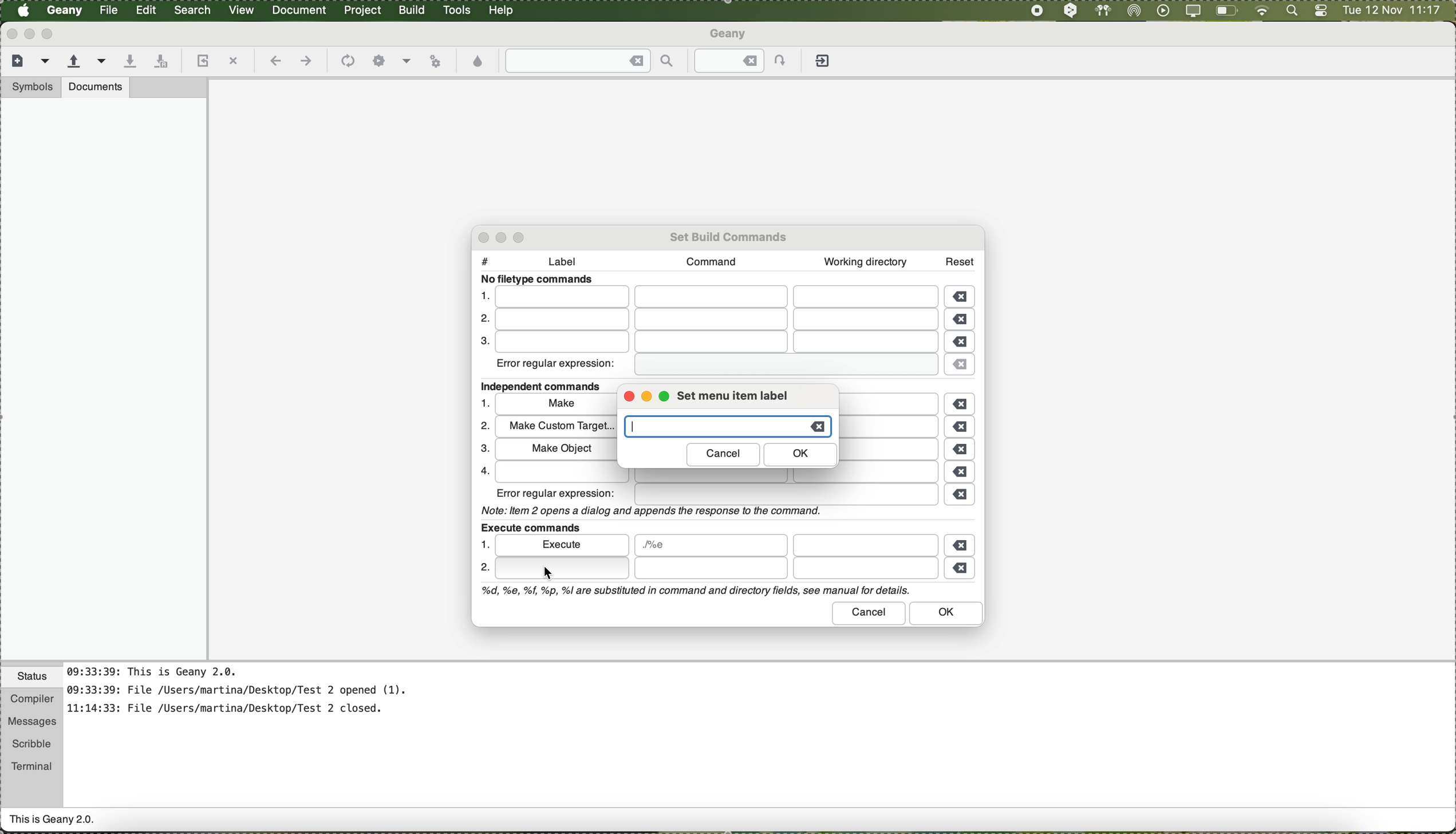 This screenshot has height=834, width=1456. Describe the element at coordinates (362, 10) in the screenshot. I see `project` at that location.